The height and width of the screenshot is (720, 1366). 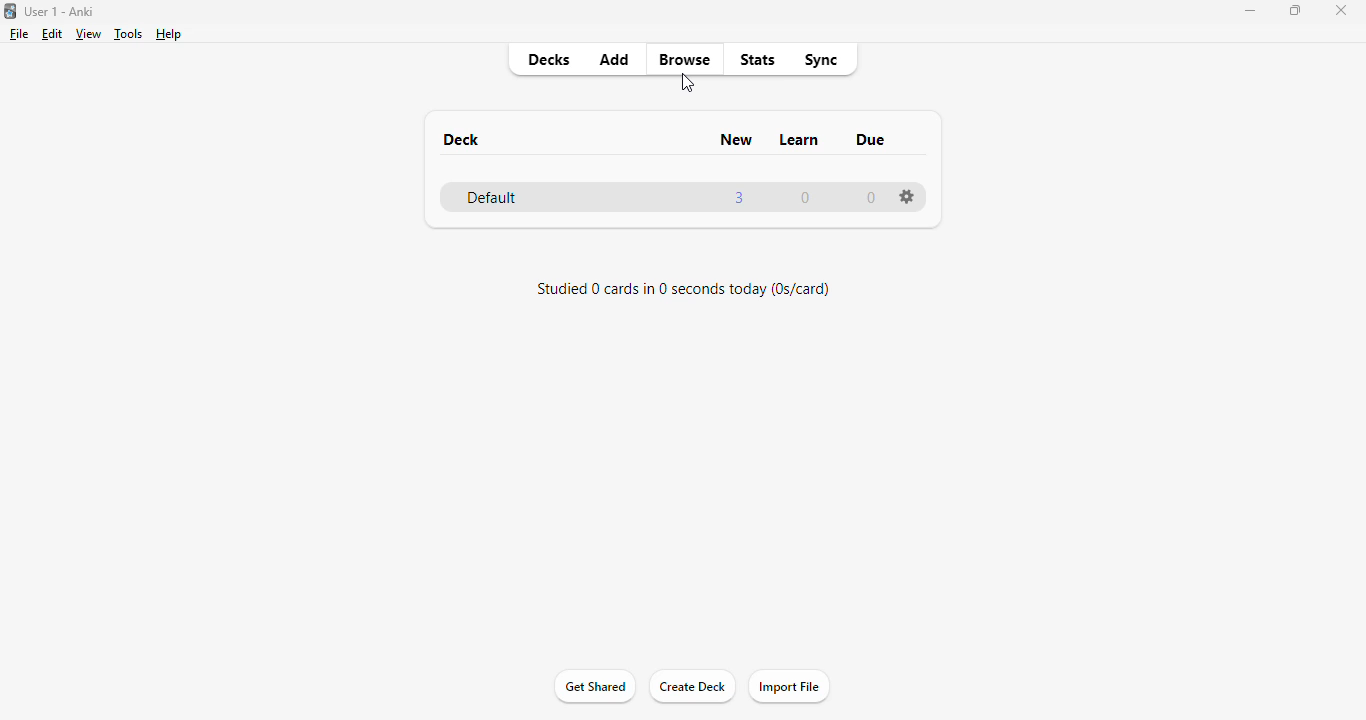 I want to click on get shared, so click(x=594, y=687).